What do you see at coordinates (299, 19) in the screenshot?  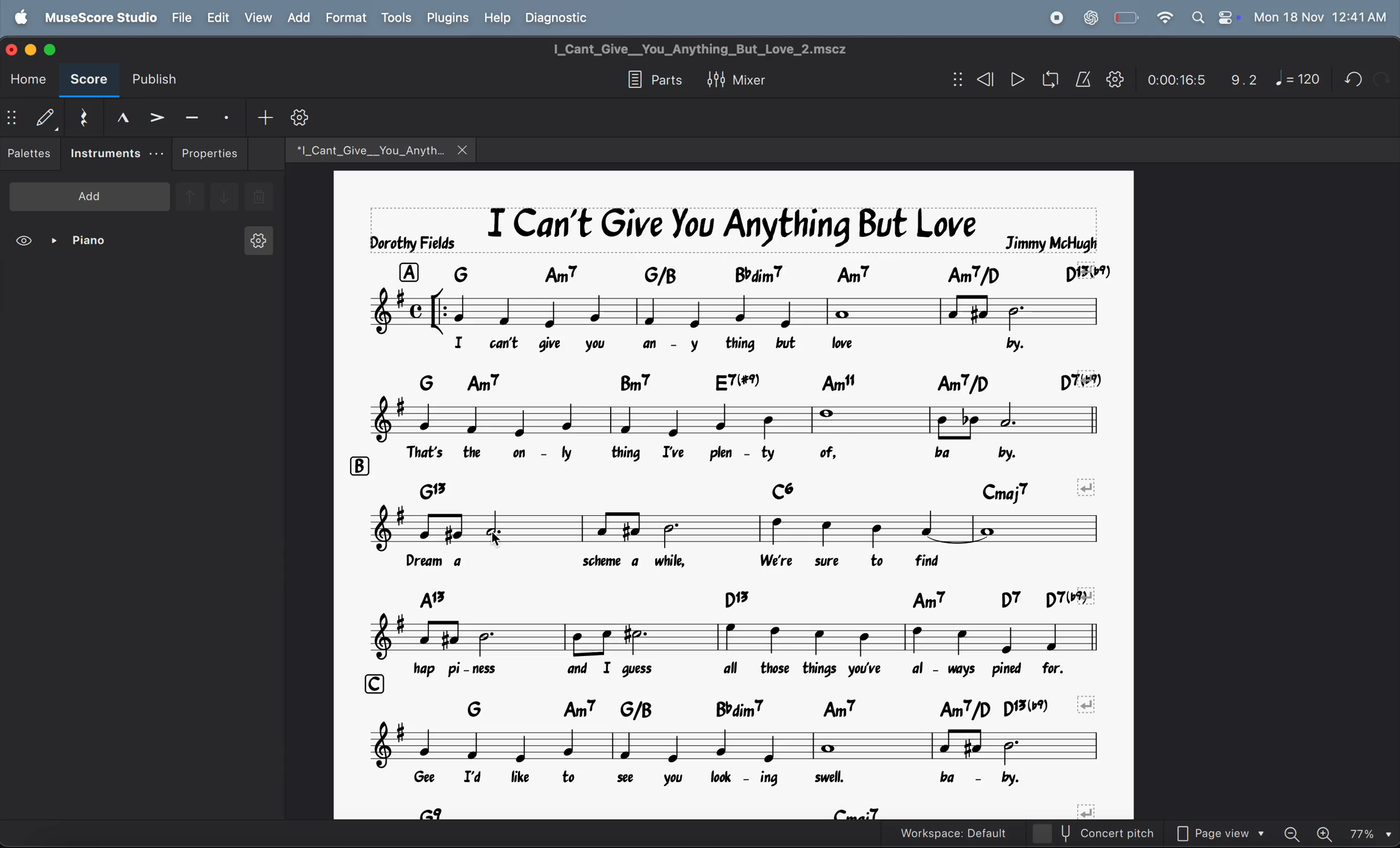 I see `add` at bounding box center [299, 19].